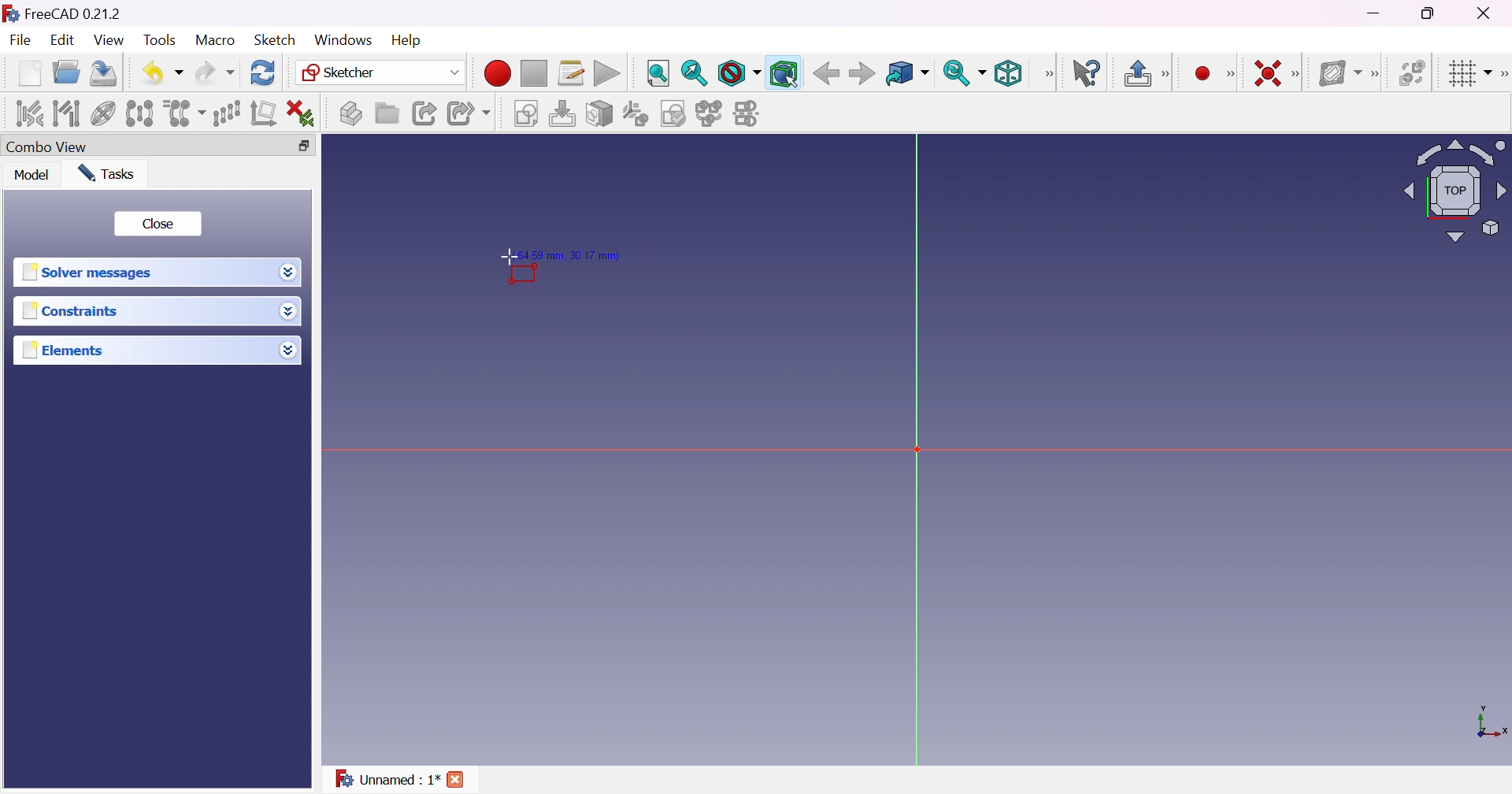 The width and height of the screenshot is (1512, 794). Describe the element at coordinates (658, 72) in the screenshot. I see `Fit all` at that location.